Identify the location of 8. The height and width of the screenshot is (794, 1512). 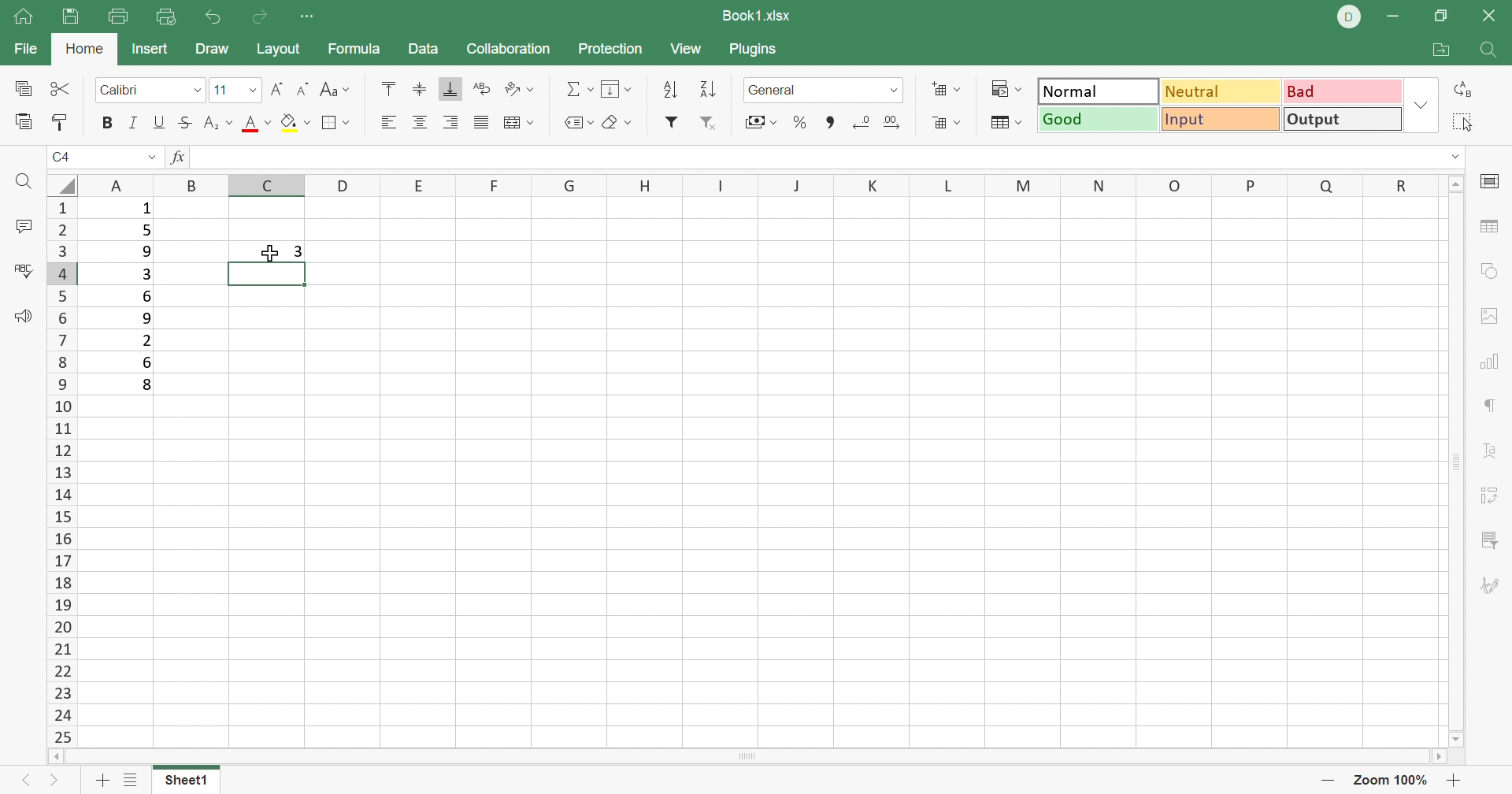
(150, 386).